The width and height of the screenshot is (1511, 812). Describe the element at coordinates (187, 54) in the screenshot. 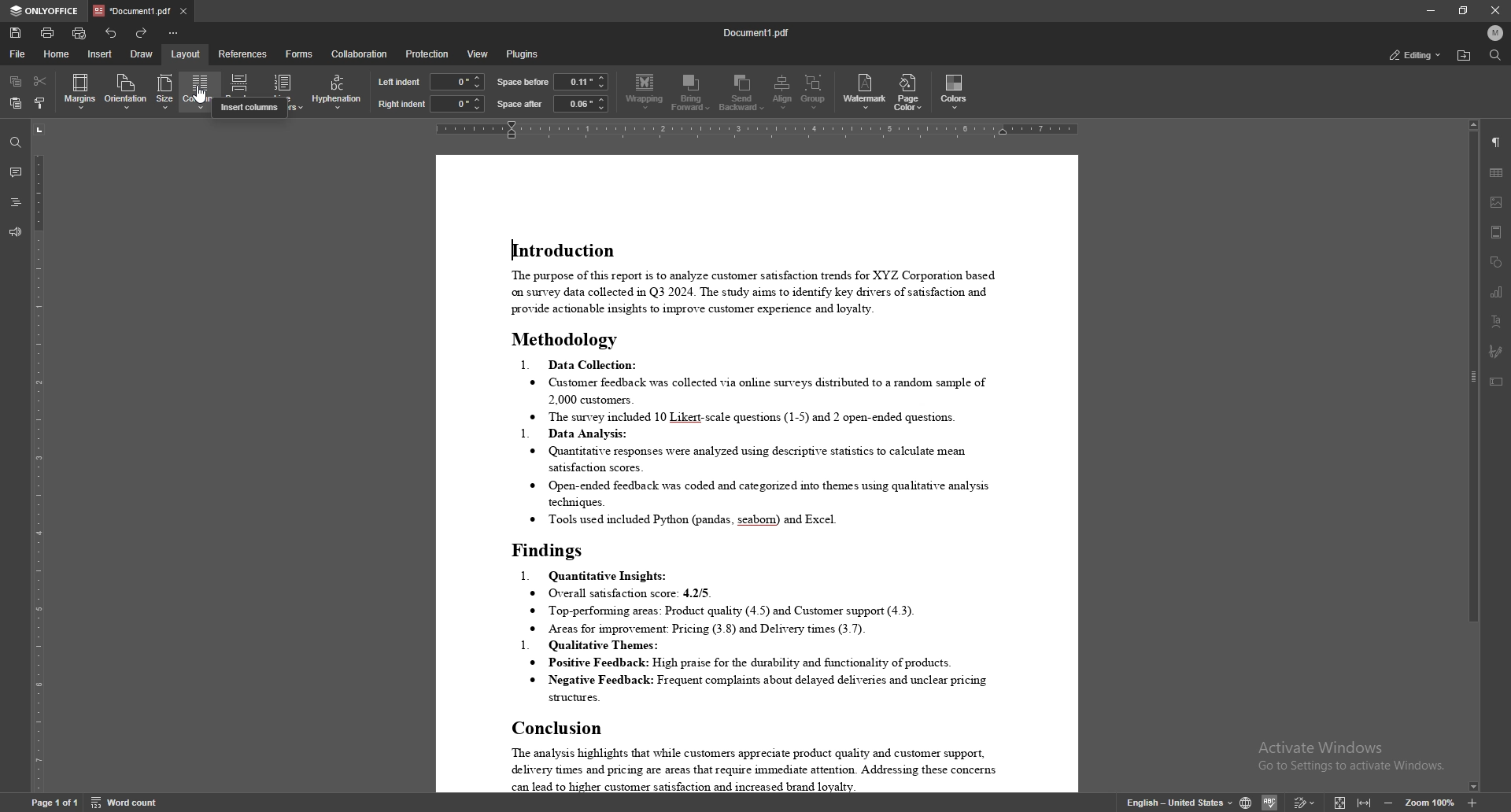

I see `layout` at that location.